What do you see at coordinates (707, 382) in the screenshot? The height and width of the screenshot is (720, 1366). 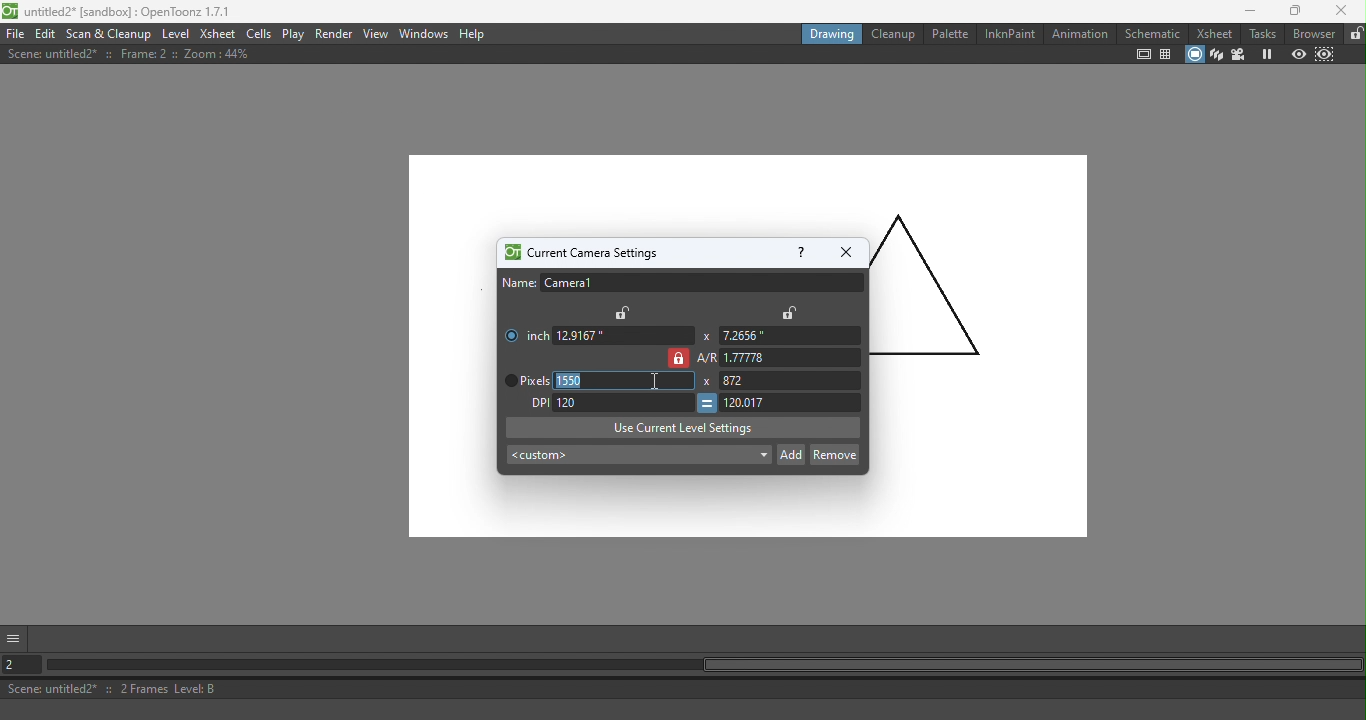 I see `X` at bounding box center [707, 382].